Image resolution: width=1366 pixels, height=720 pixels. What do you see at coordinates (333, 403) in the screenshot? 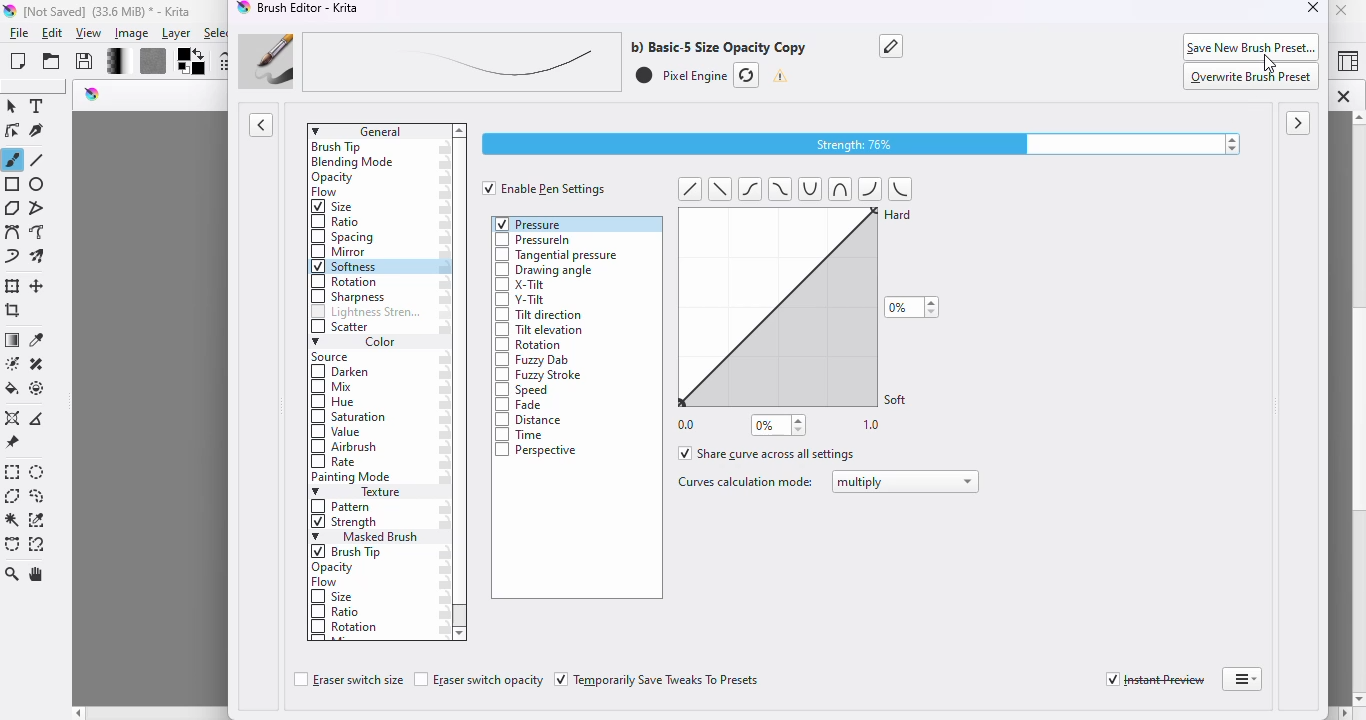
I see `hue` at bounding box center [333, 403].